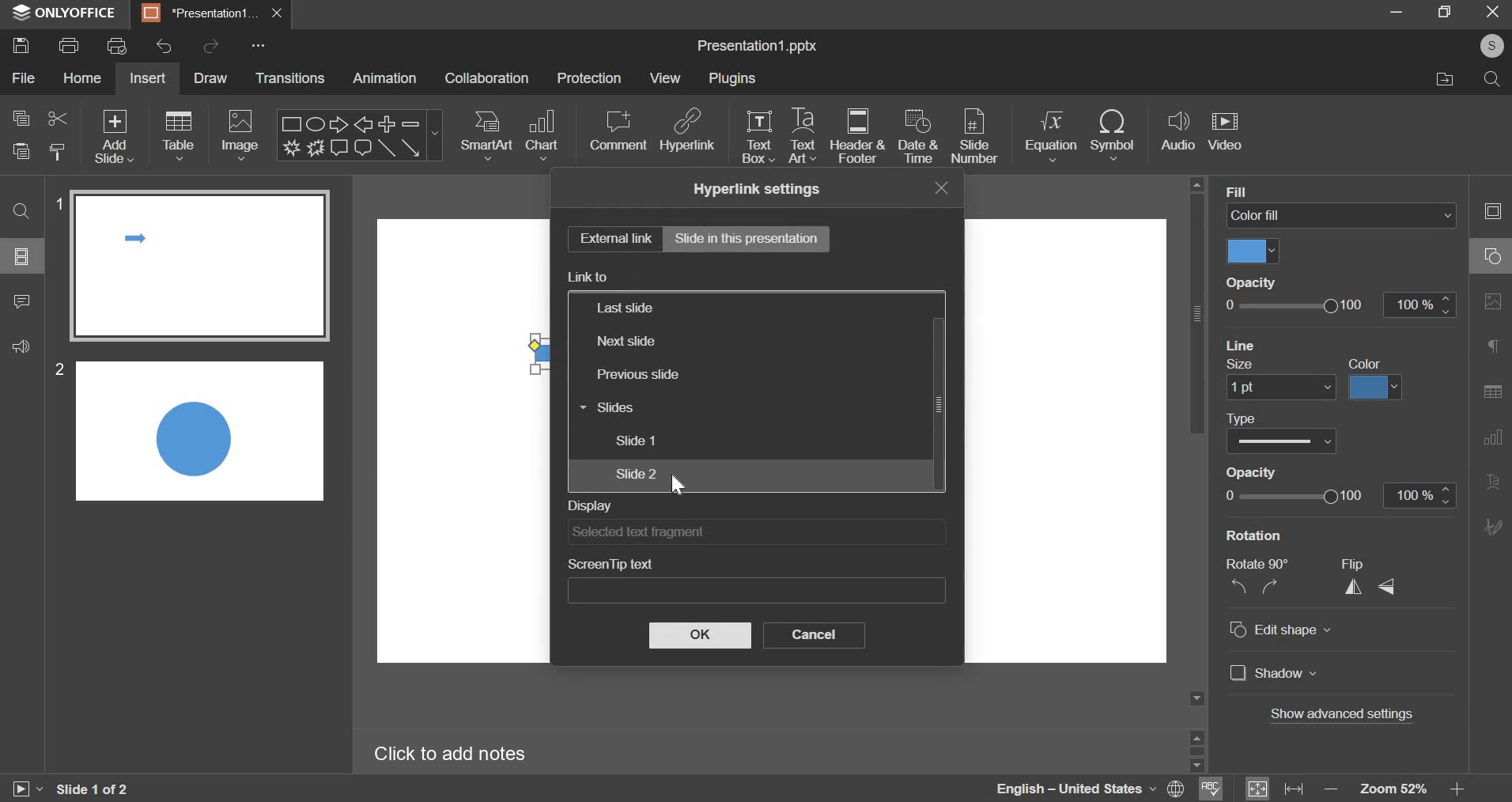  What do you see at coordinates (316, 123) in the screenshot?
I see `Ellipse` at bounding box center [316, 123].